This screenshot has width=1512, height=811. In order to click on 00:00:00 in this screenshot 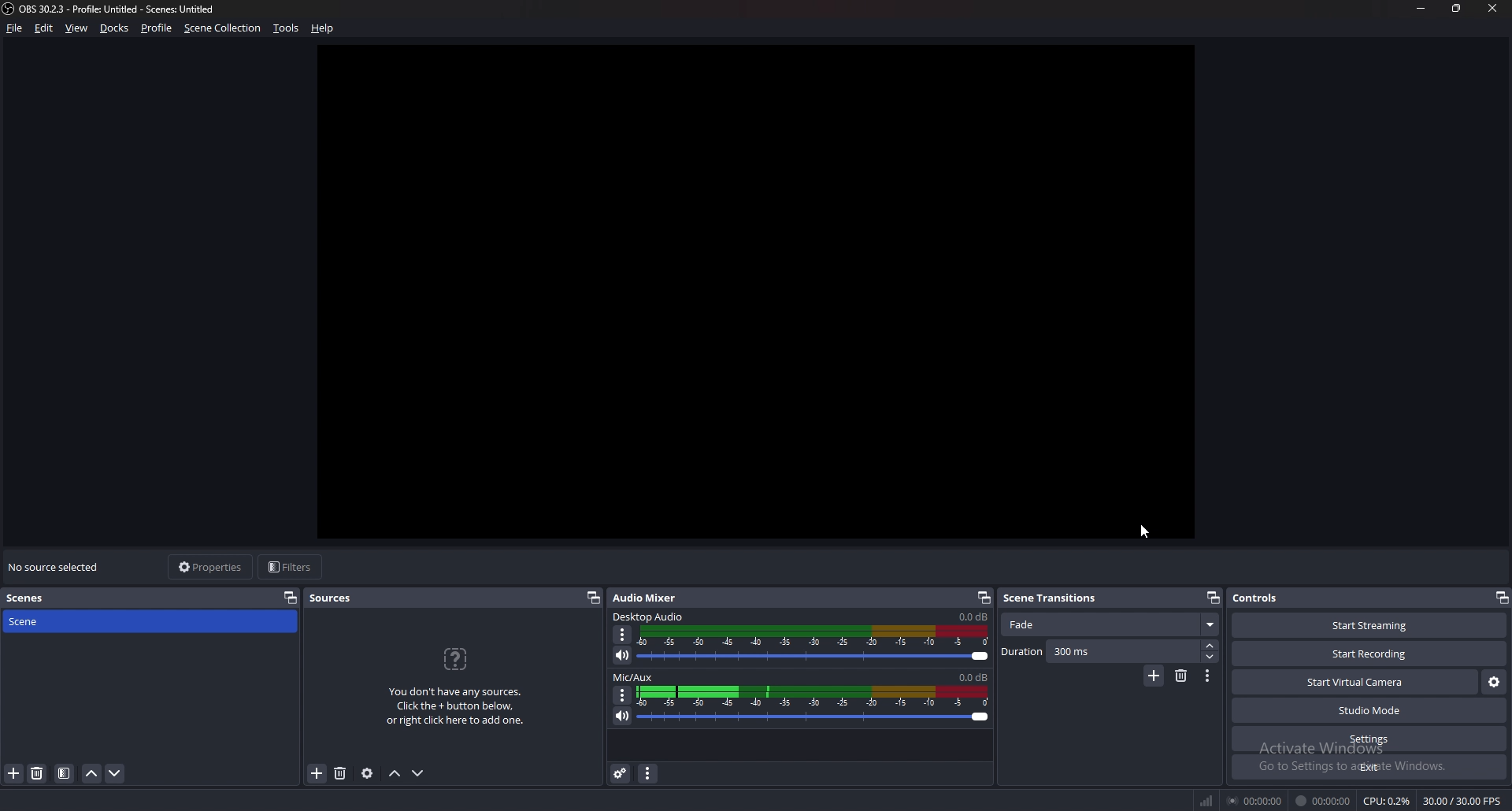, I will do `click(1323, 802)`.